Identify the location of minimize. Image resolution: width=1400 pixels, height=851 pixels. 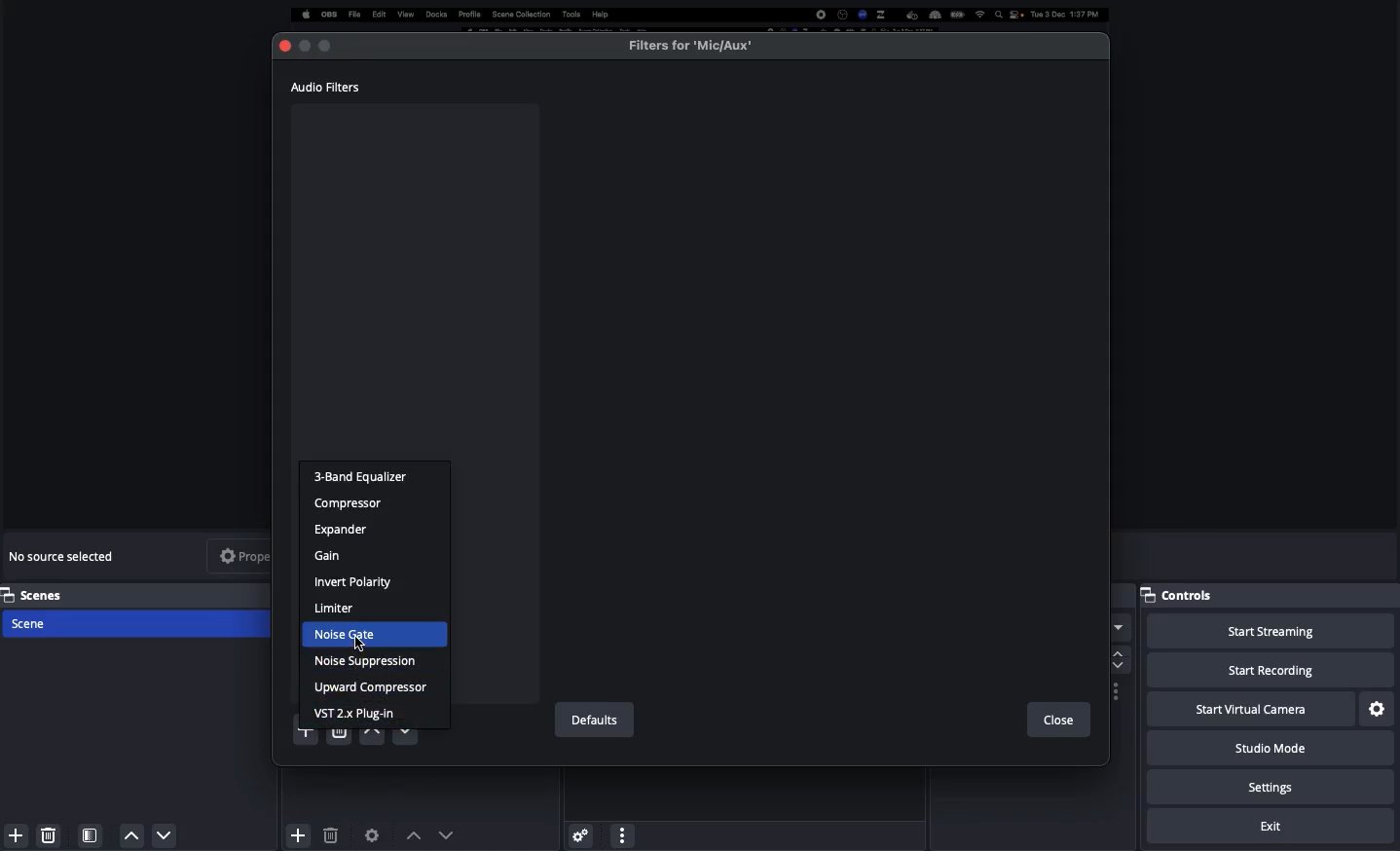
(307, 45).